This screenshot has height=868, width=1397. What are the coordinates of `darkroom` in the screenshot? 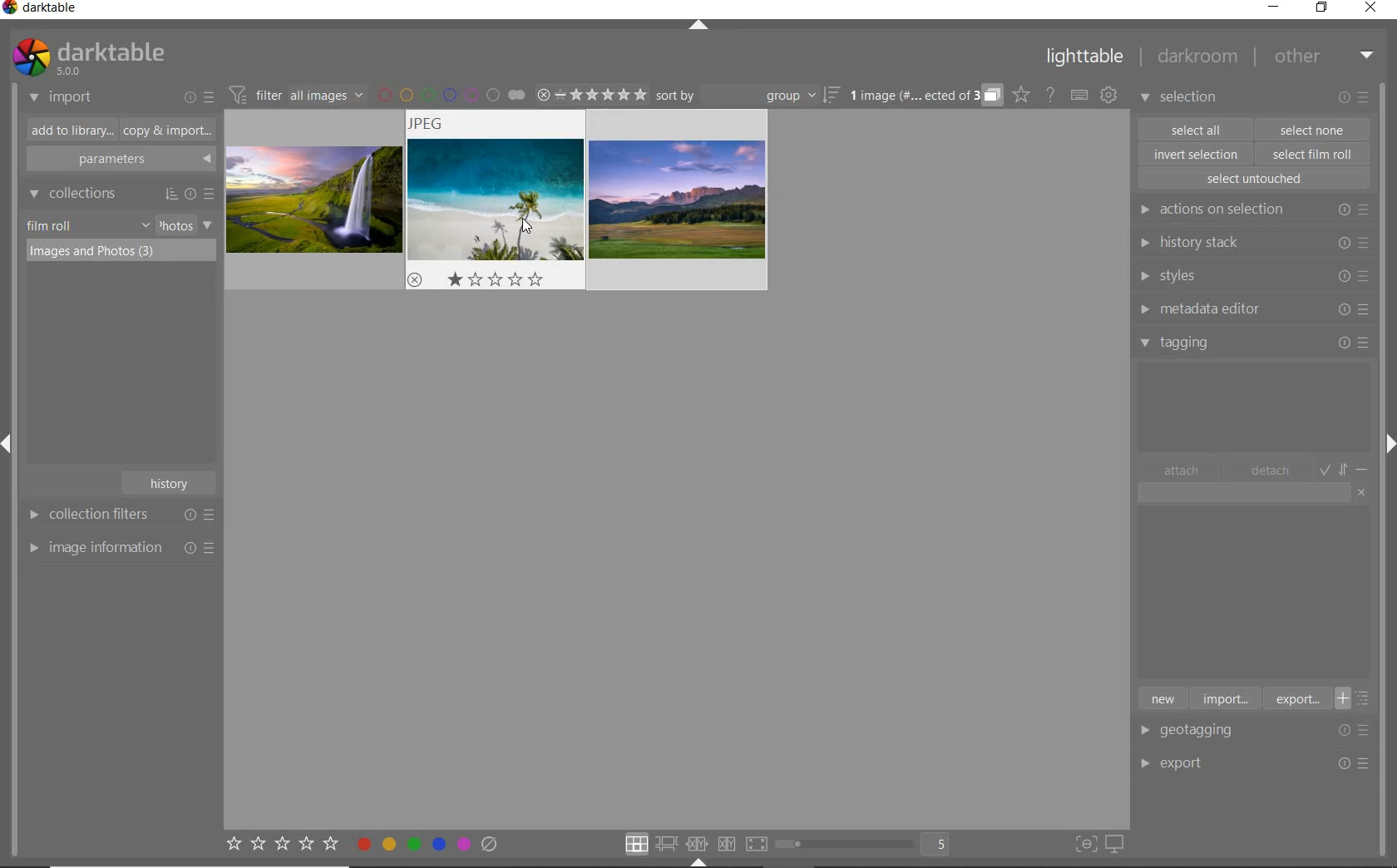 It's located at (1198, 59).